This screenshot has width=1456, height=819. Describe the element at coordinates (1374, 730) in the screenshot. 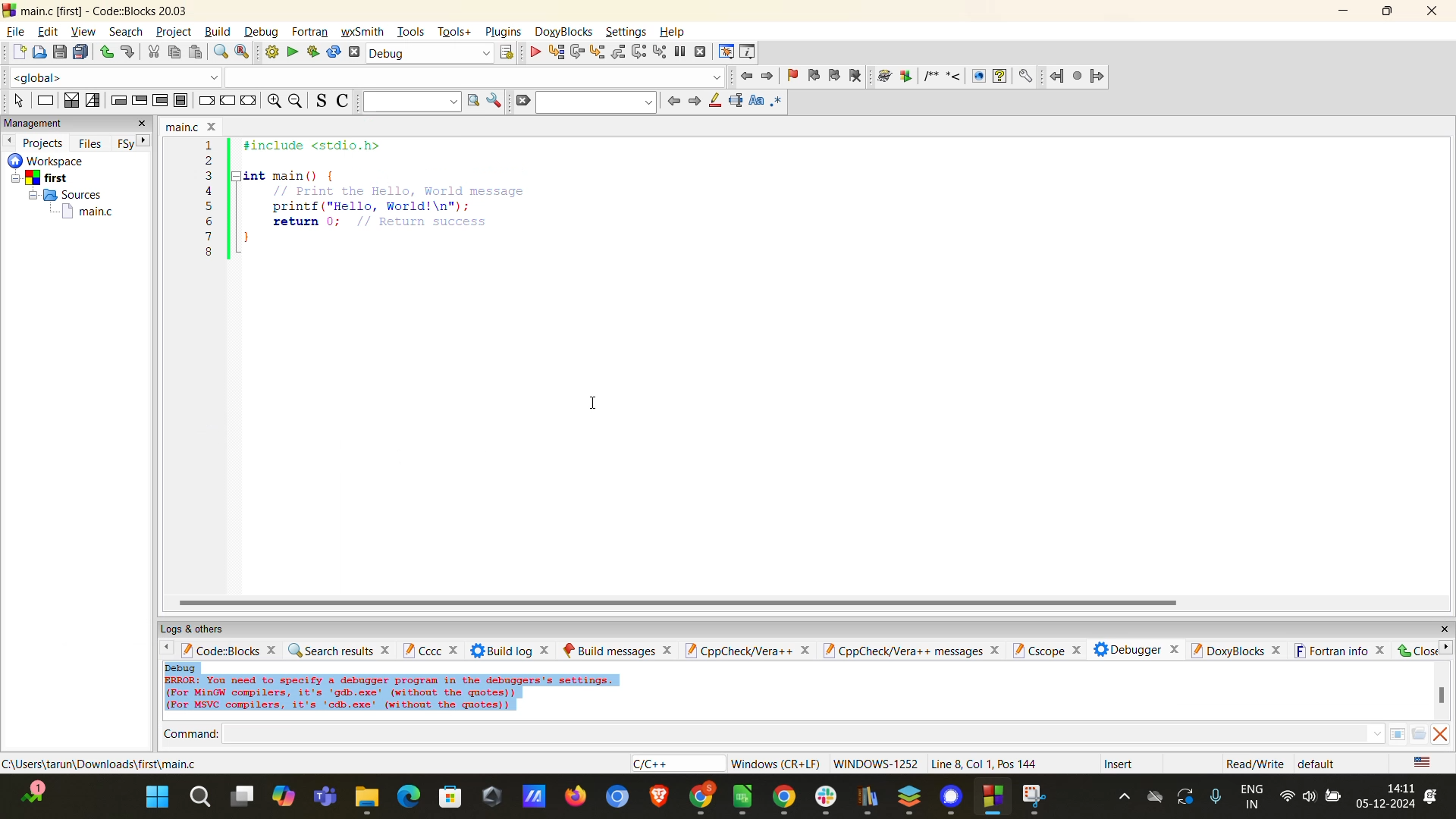

I see `dropdown` at that location.